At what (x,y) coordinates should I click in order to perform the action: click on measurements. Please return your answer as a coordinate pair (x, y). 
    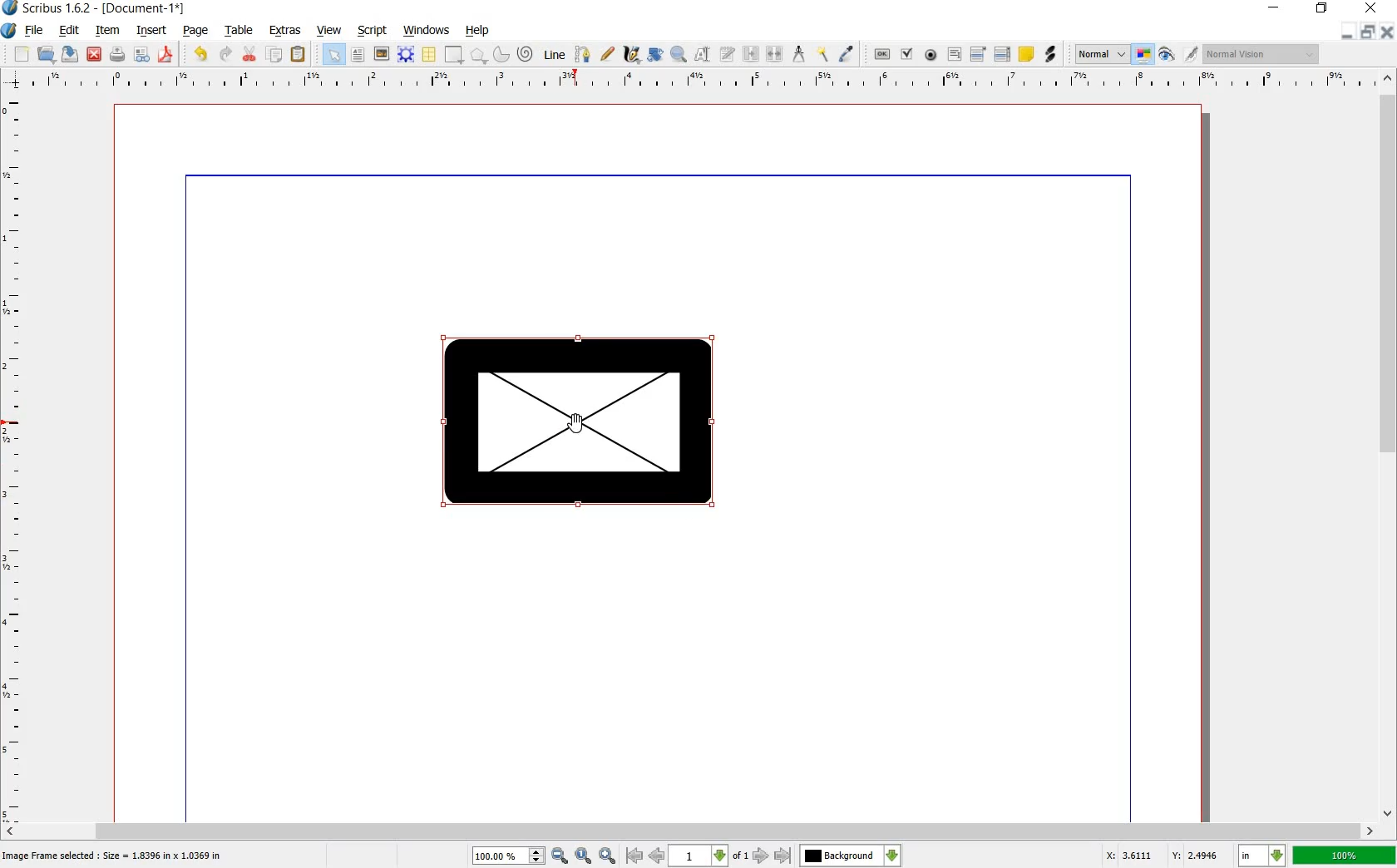
    Looking at the image, I should click on (799, 53).